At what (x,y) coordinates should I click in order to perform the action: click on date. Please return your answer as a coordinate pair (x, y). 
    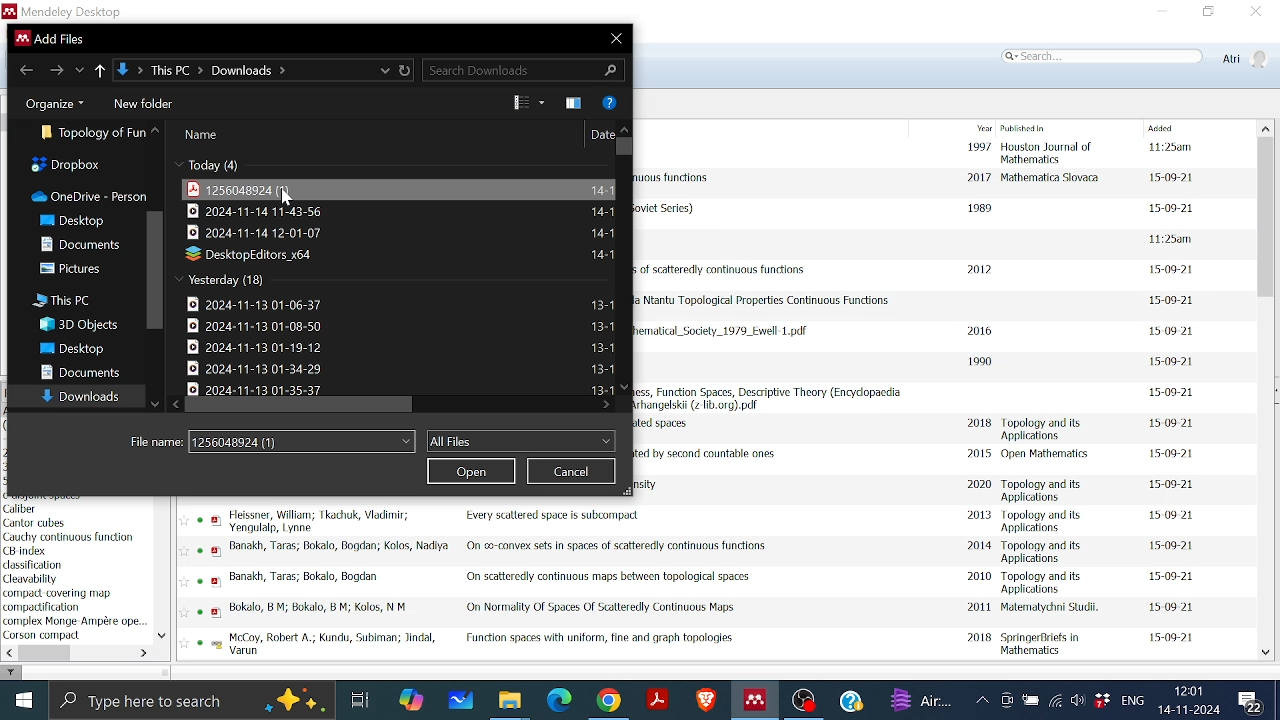
    Looking at the image, I should click on (1172, 392).